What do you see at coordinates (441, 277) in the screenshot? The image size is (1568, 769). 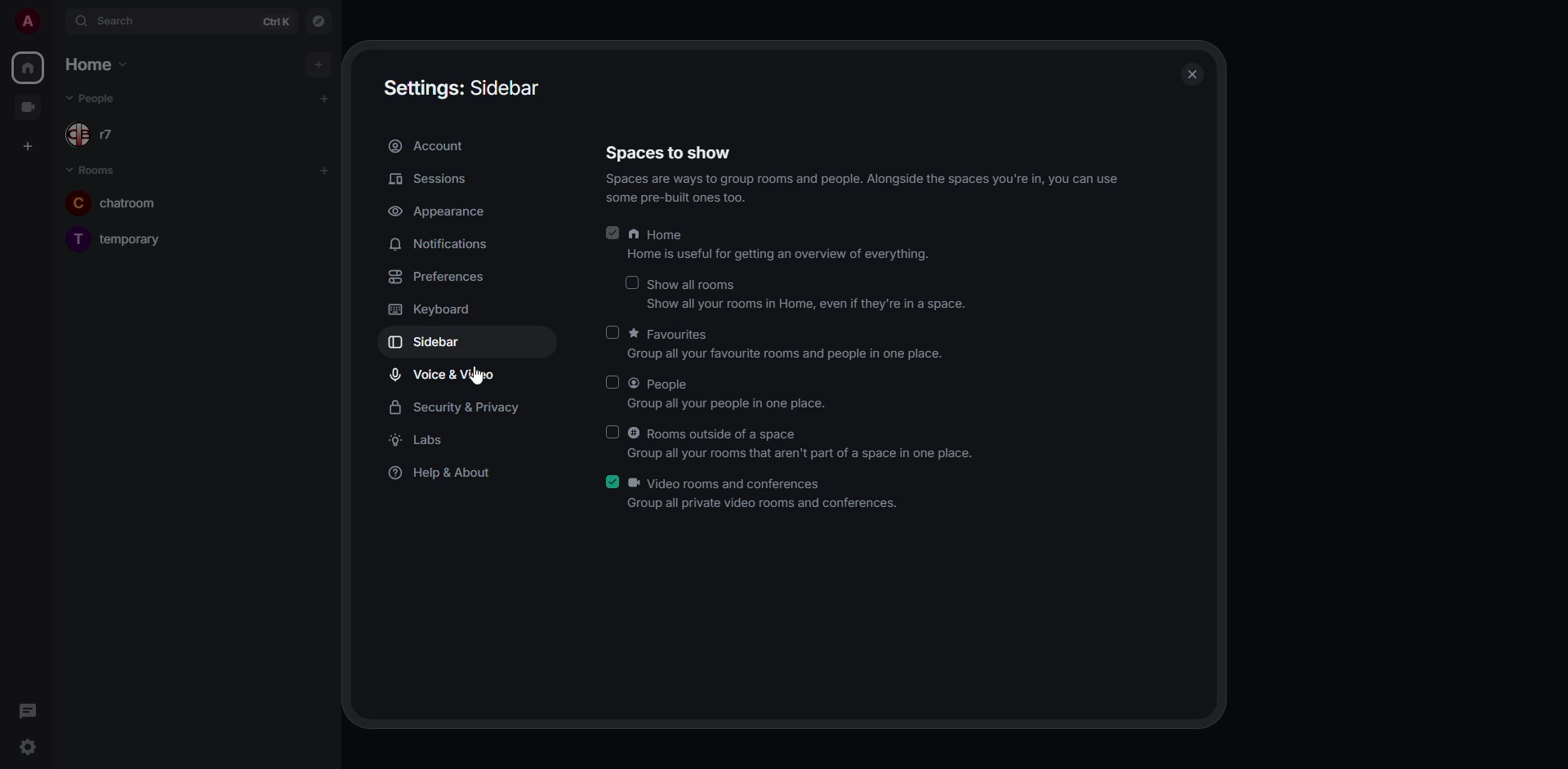 I see `preferences` at bounding box center [441, 277].